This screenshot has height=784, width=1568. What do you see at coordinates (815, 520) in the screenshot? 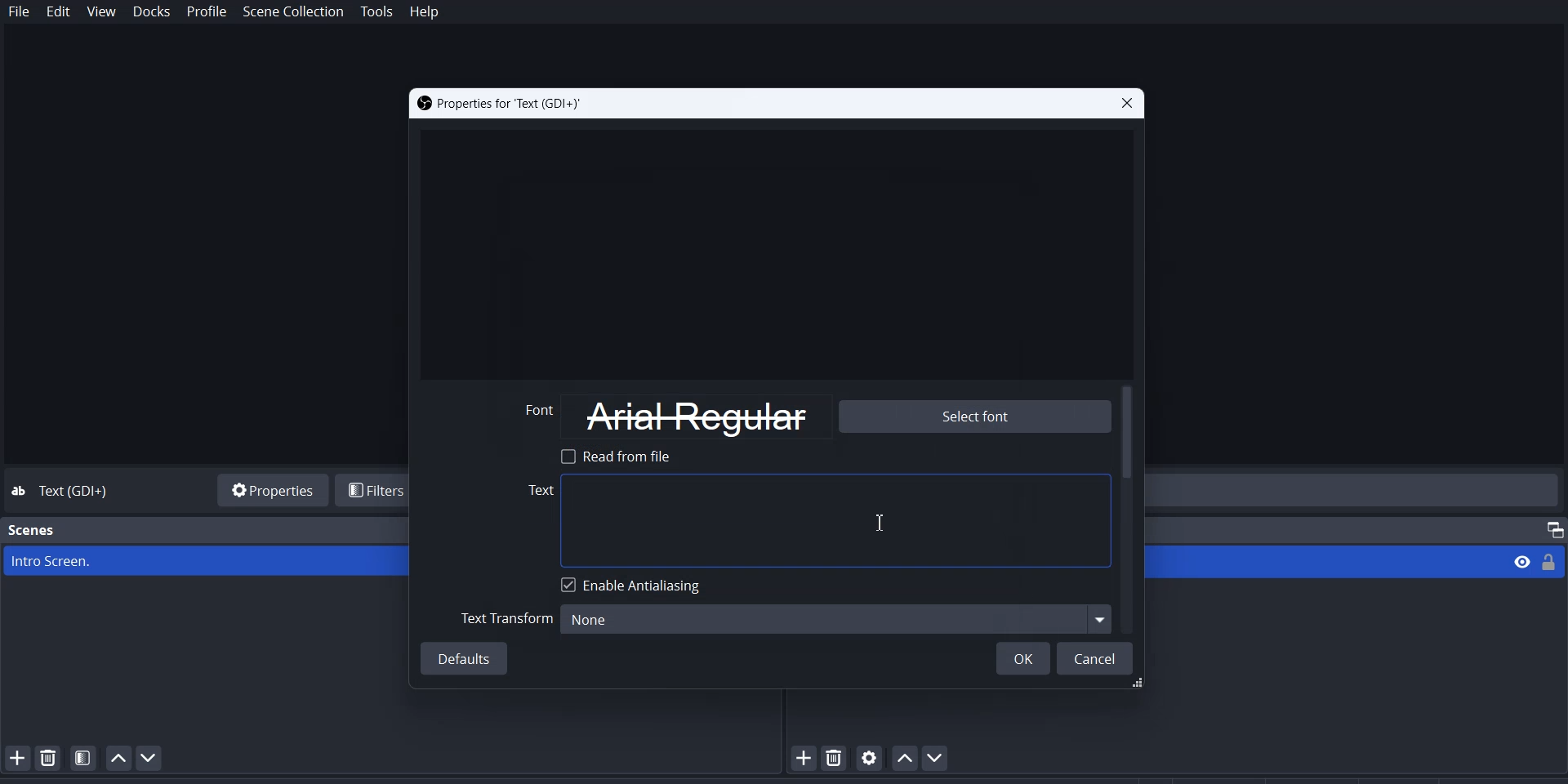
I see `Add Text` at bounding box center [815, 520].